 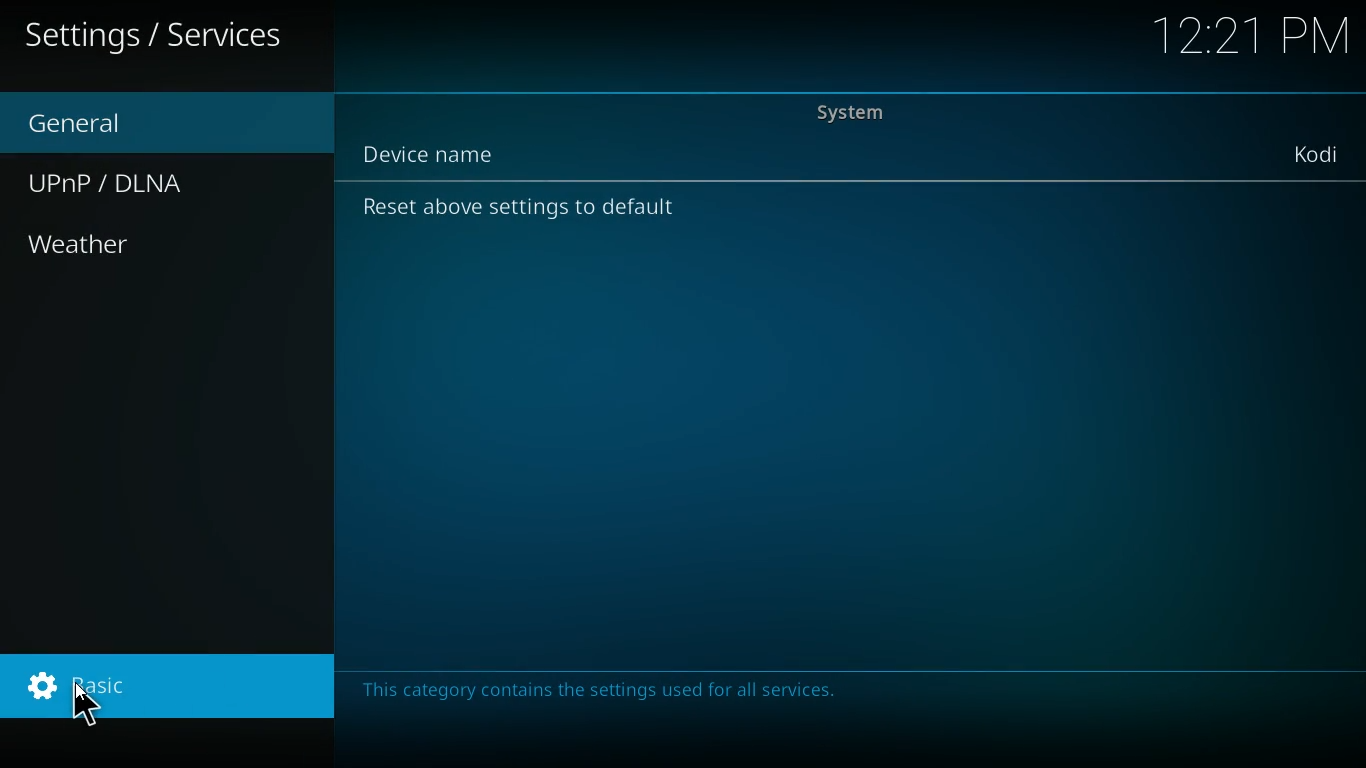 I want to click on weather, so click(x=140, y=247).